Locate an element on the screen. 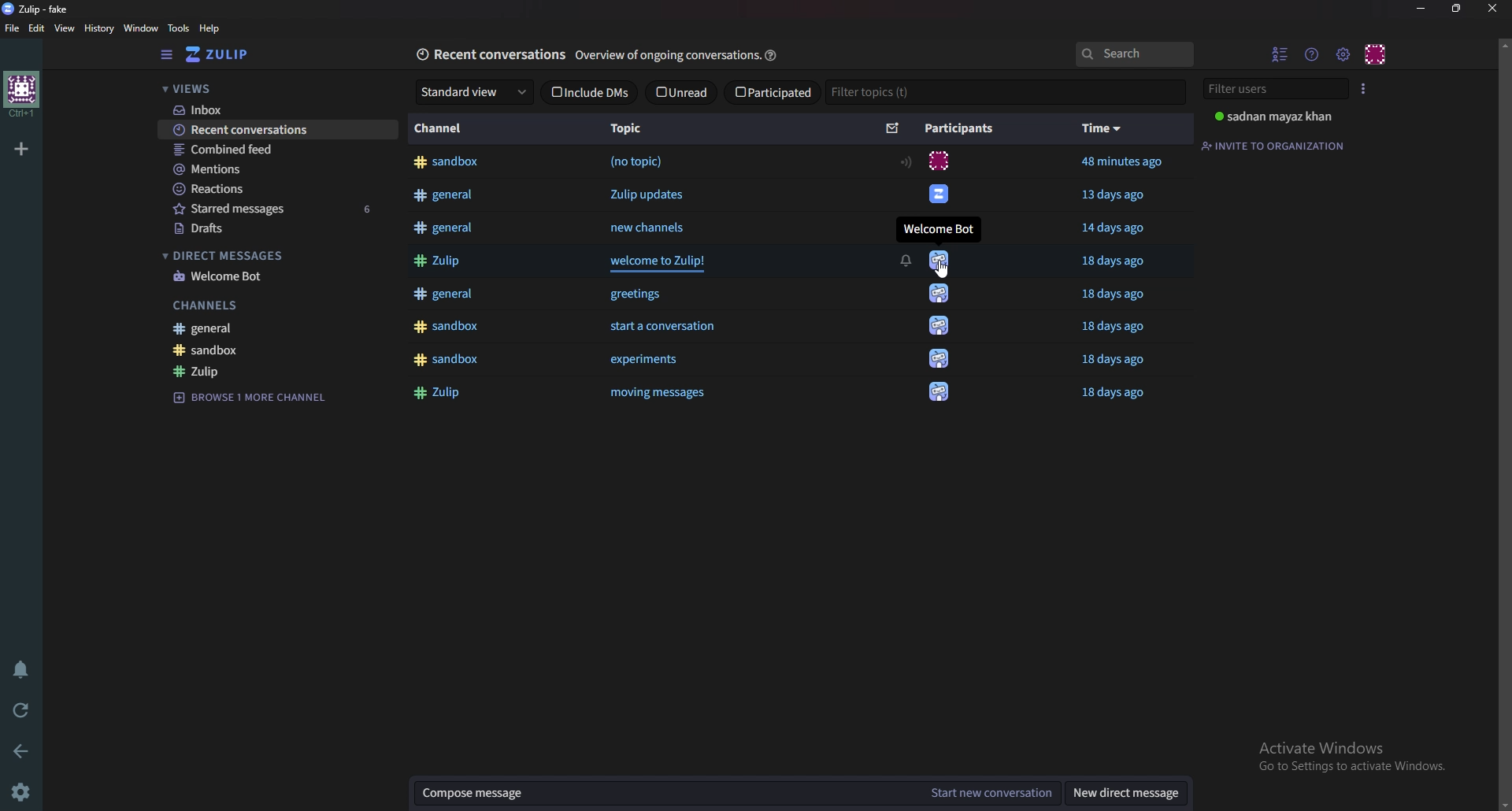   is located at coordinates (662, 393).